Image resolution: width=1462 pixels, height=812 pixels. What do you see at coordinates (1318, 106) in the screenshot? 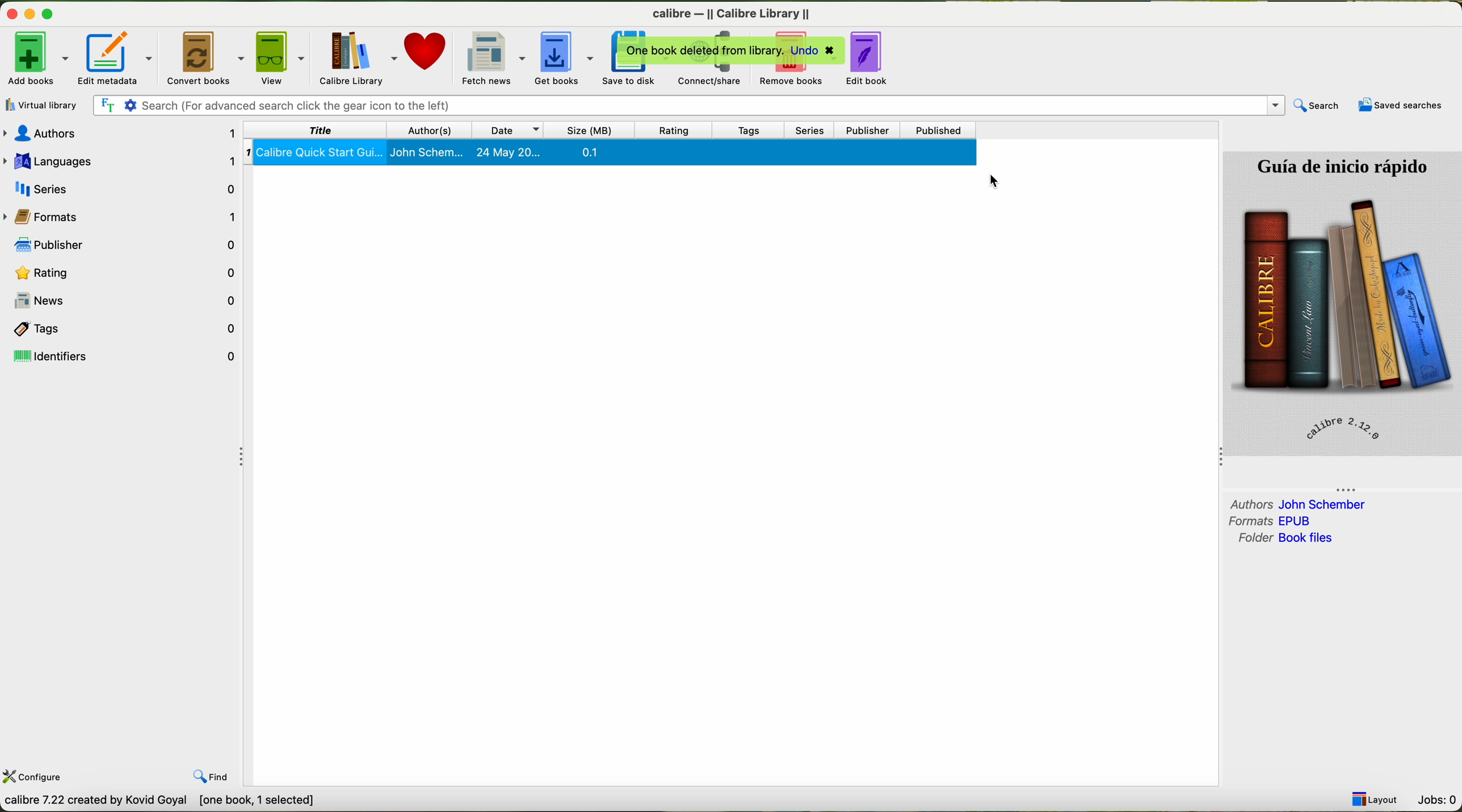
I see `search` at bounding box center [1318, 106].